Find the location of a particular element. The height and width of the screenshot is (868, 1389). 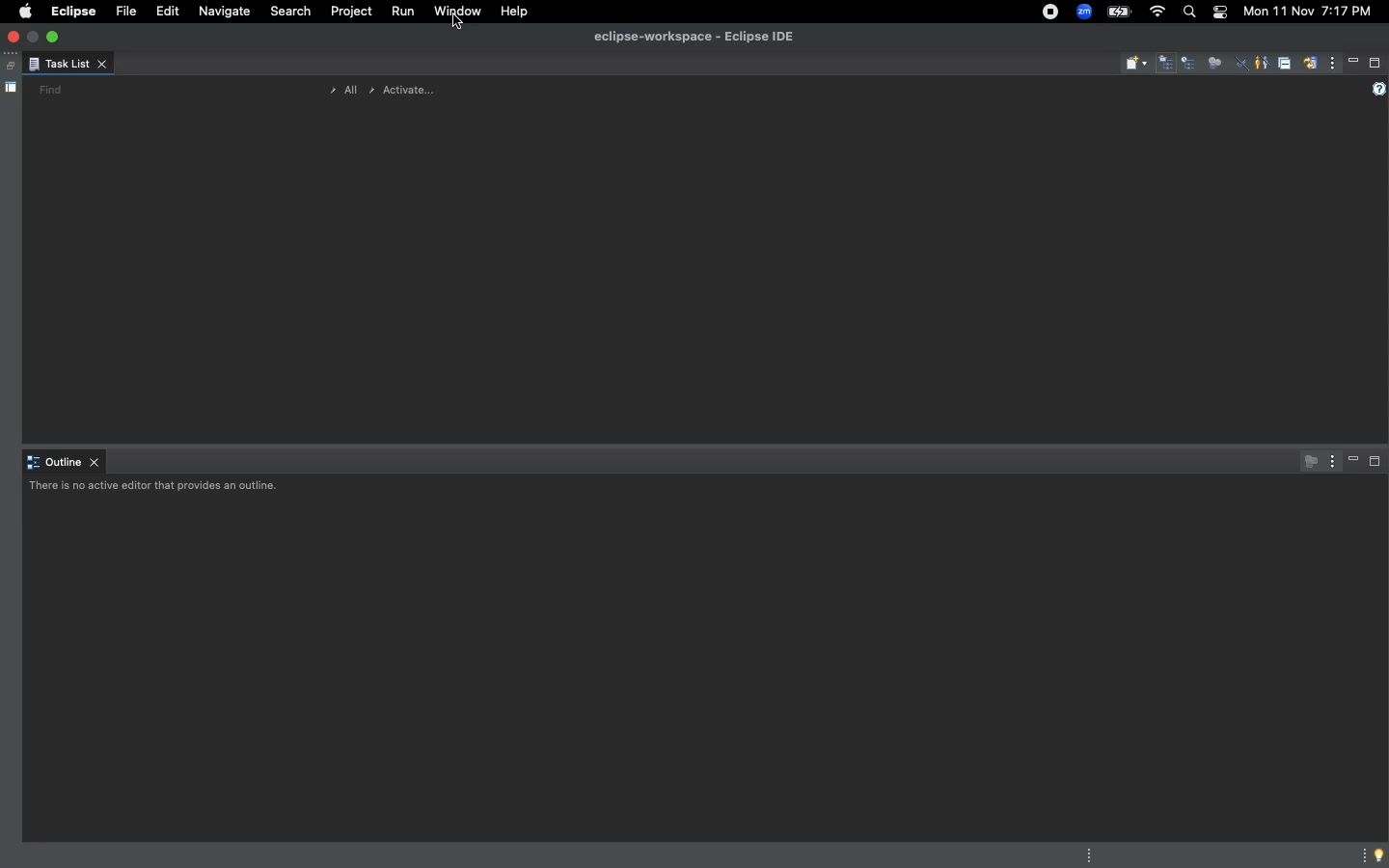

Help is located at coordinates (515, 12).